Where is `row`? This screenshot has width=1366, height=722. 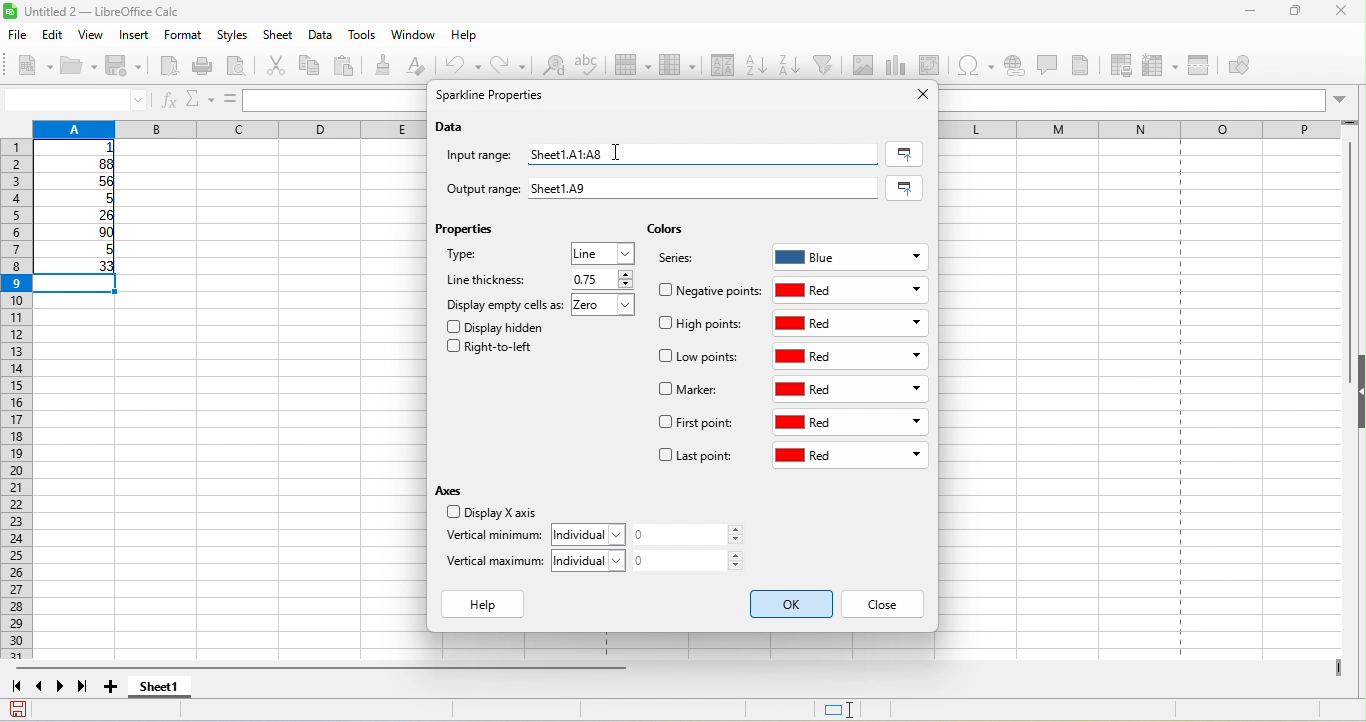 row is located at coordinates (633, 67).